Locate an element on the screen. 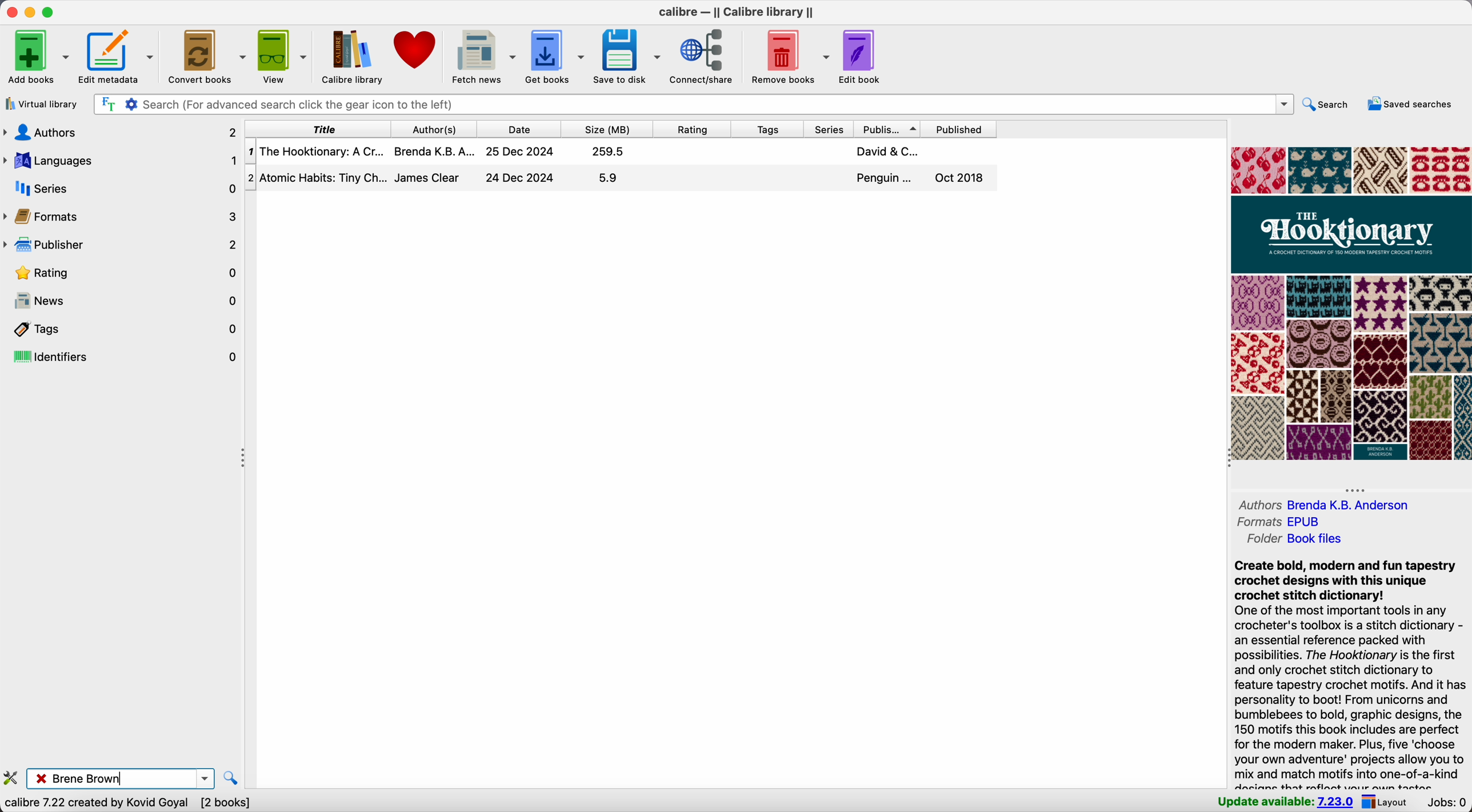  close Calibre is located at coordinates (9, 12).